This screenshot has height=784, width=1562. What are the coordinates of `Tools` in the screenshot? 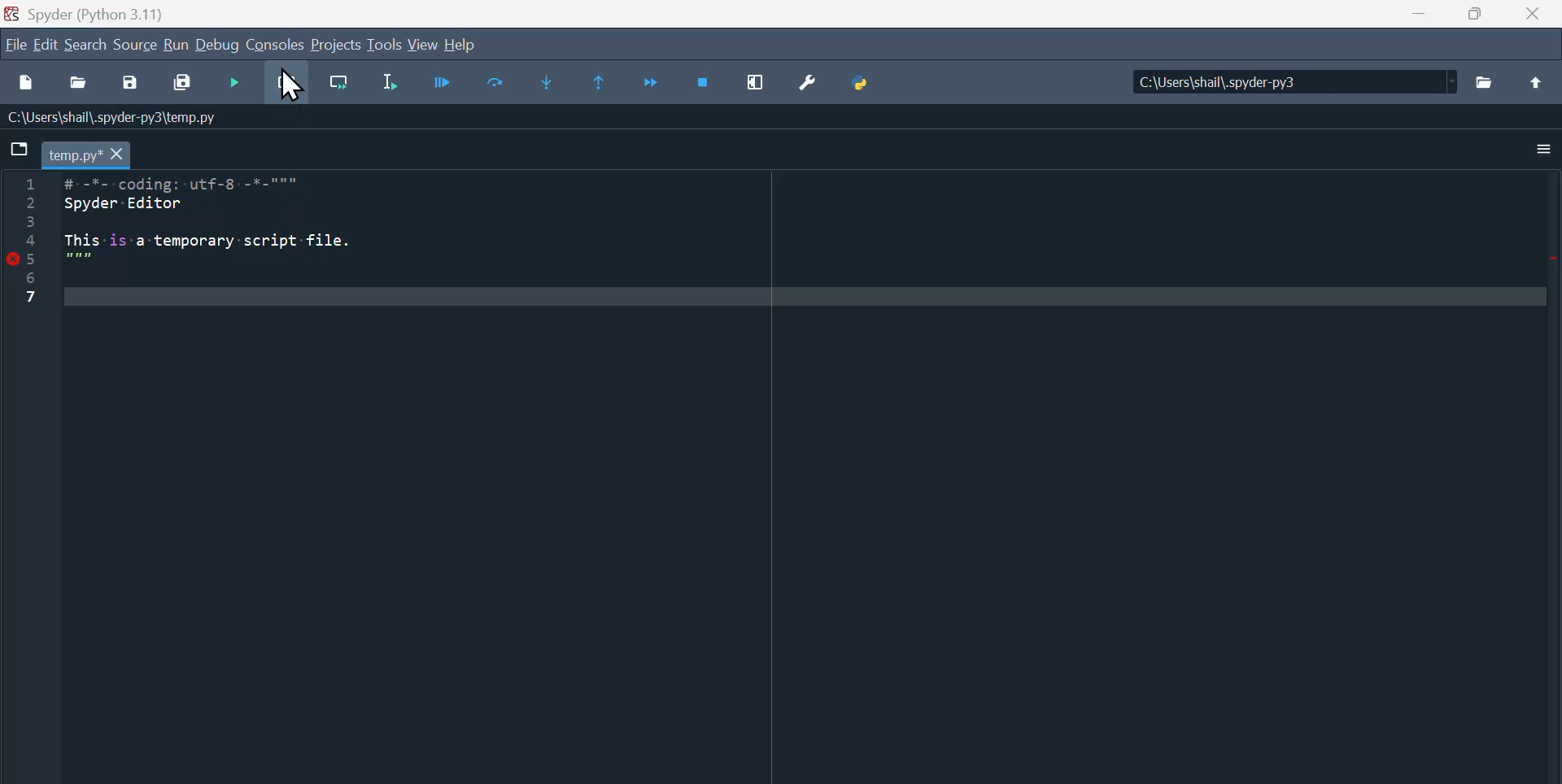 It's located at (385, 44).